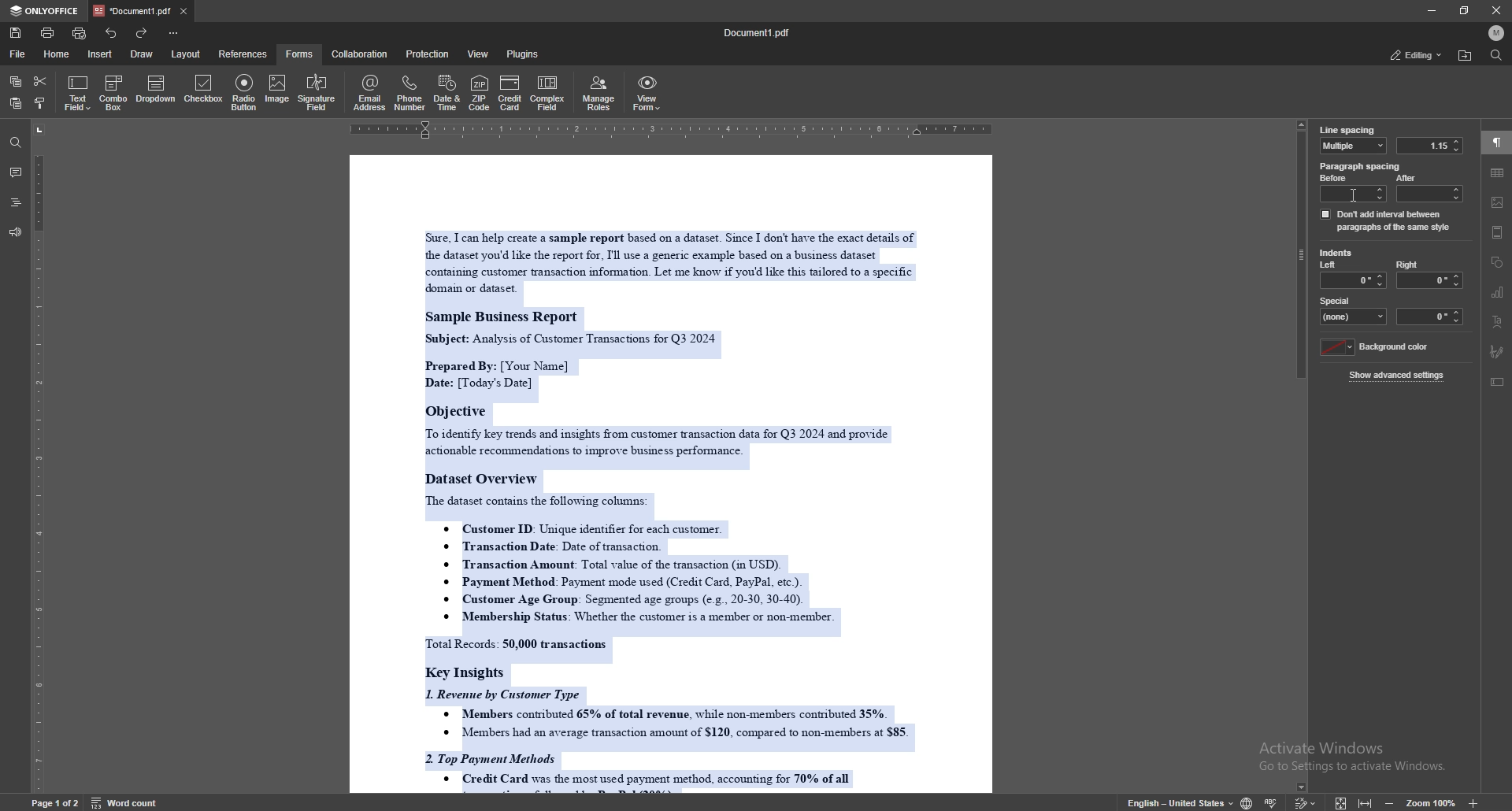  What do you see at coordinates (16, 82) in the screenshot?
I see `copy` at bounding box center [16, 82].